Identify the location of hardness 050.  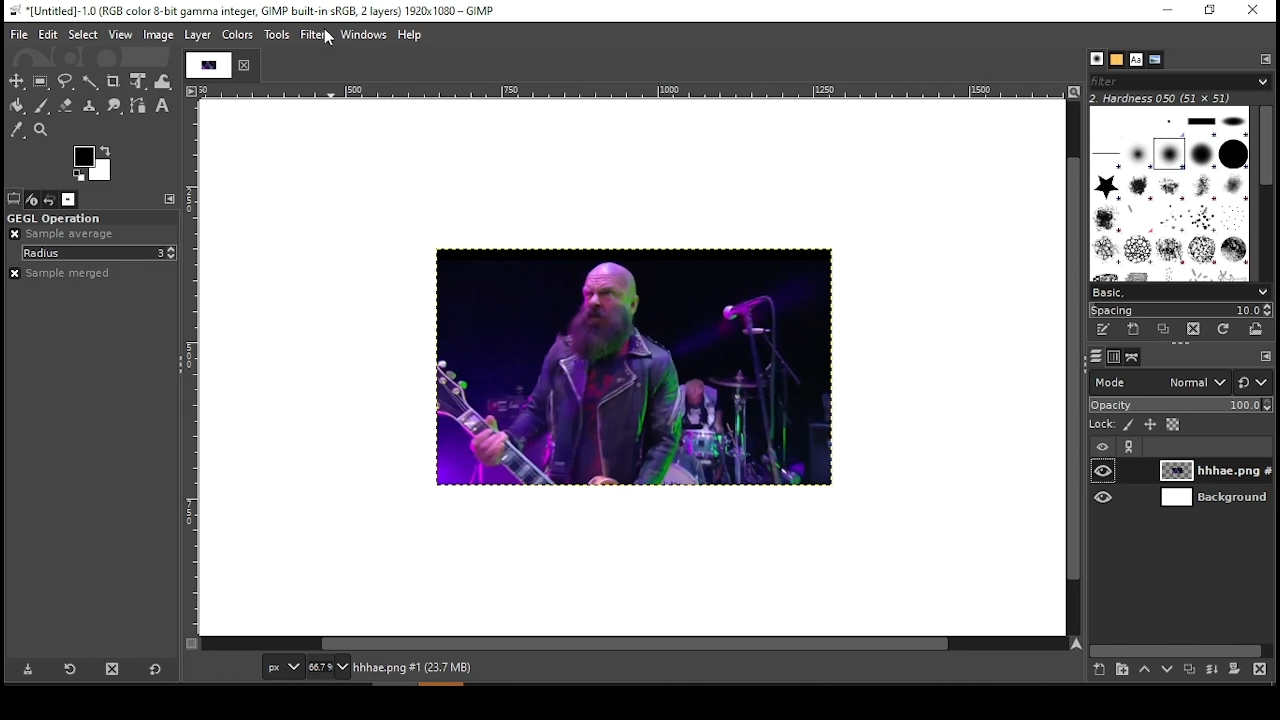
(1177, 98).